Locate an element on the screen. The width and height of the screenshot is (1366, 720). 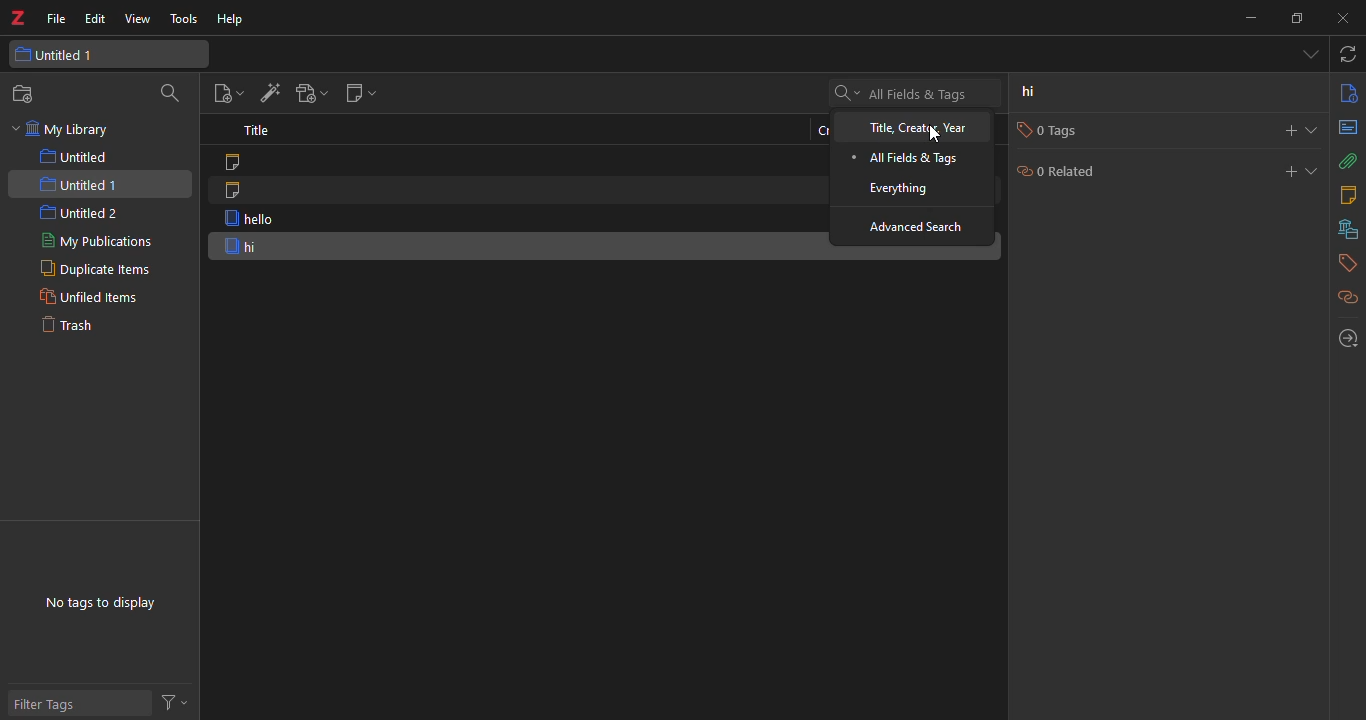
view is located at coordinates (137, 21).